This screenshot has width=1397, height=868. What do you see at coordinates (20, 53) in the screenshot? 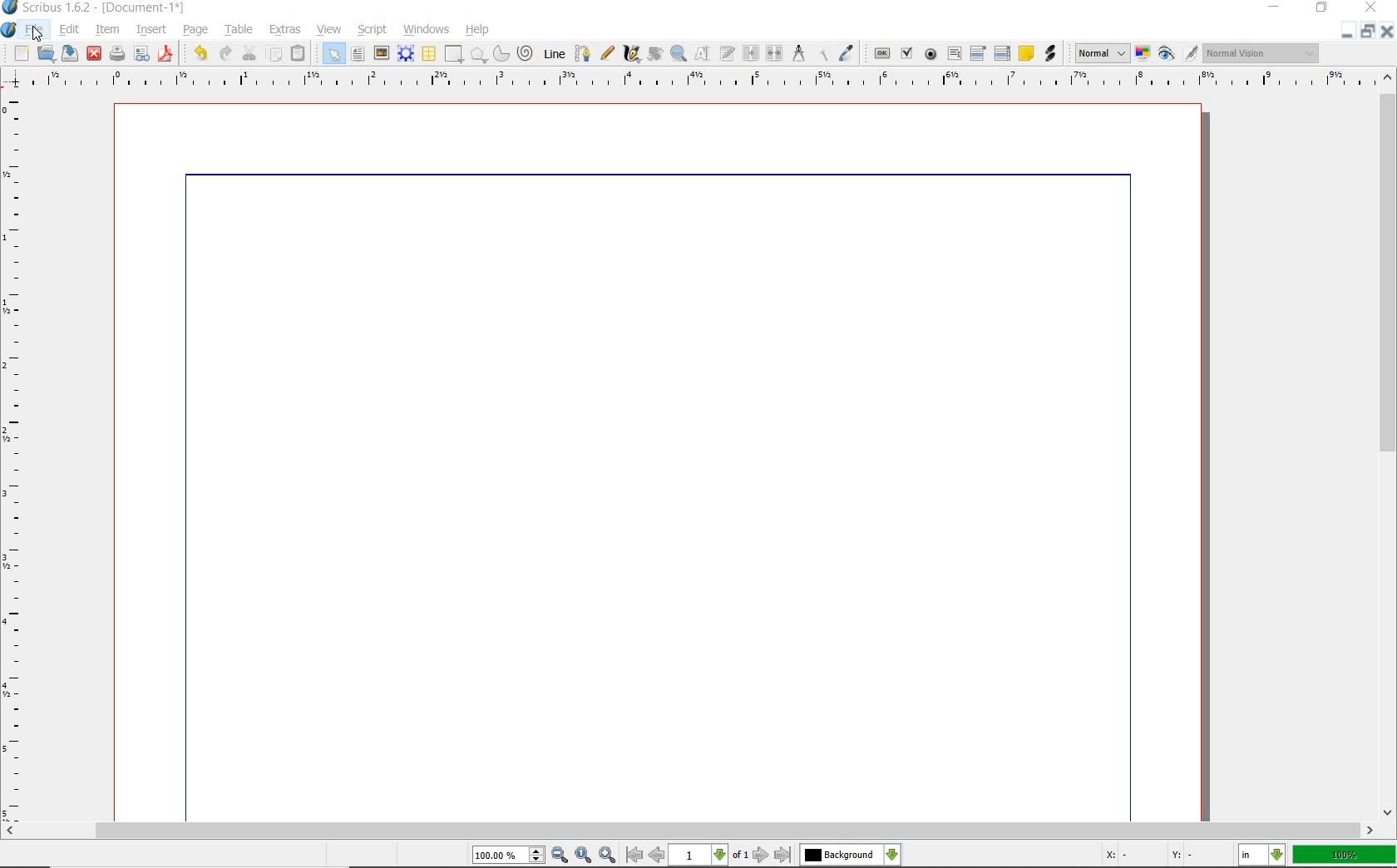
I see `new` at bounding box center [20, 53].